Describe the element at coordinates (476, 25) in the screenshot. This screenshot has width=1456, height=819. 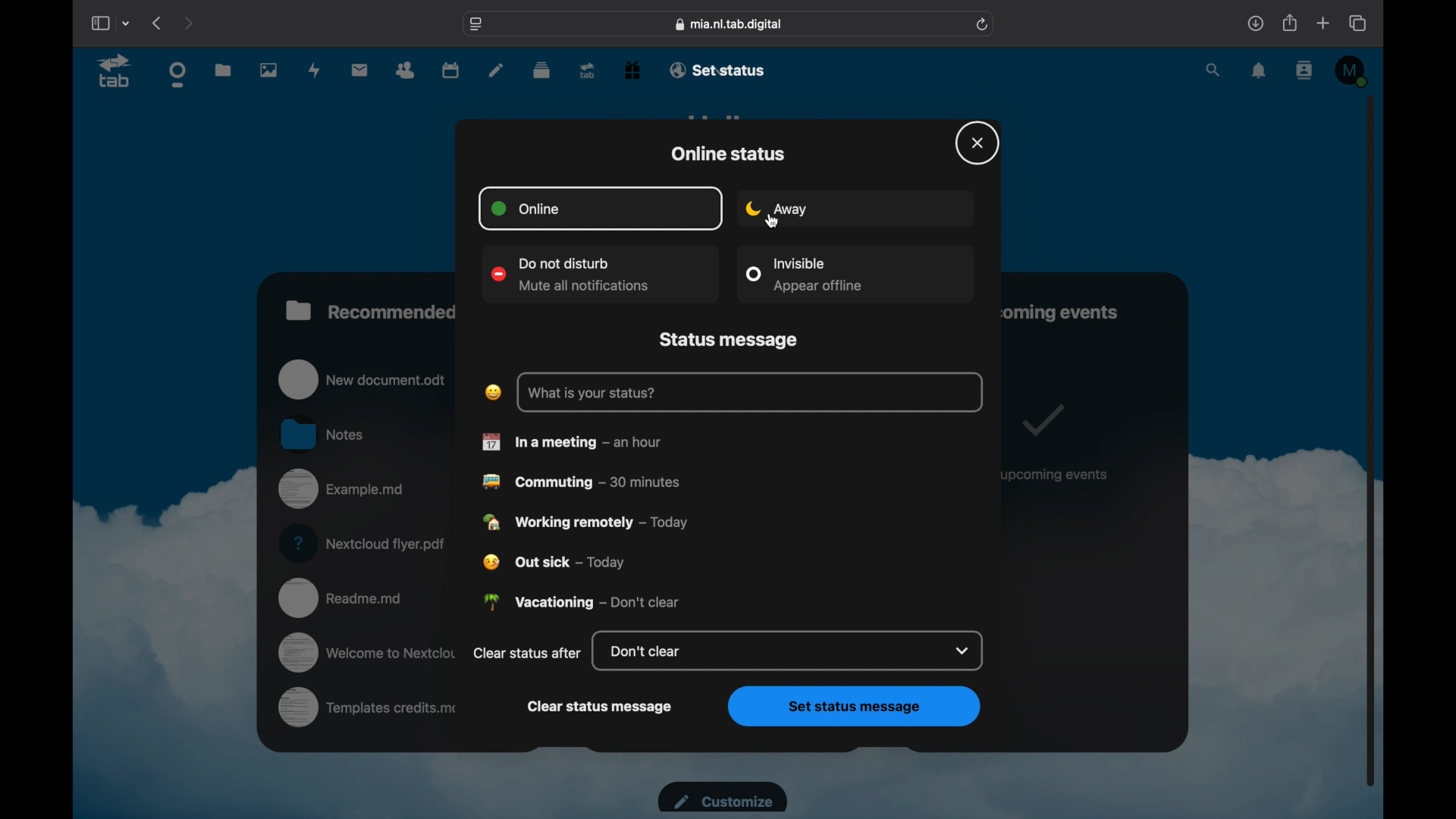
I see `website settings` at that location.